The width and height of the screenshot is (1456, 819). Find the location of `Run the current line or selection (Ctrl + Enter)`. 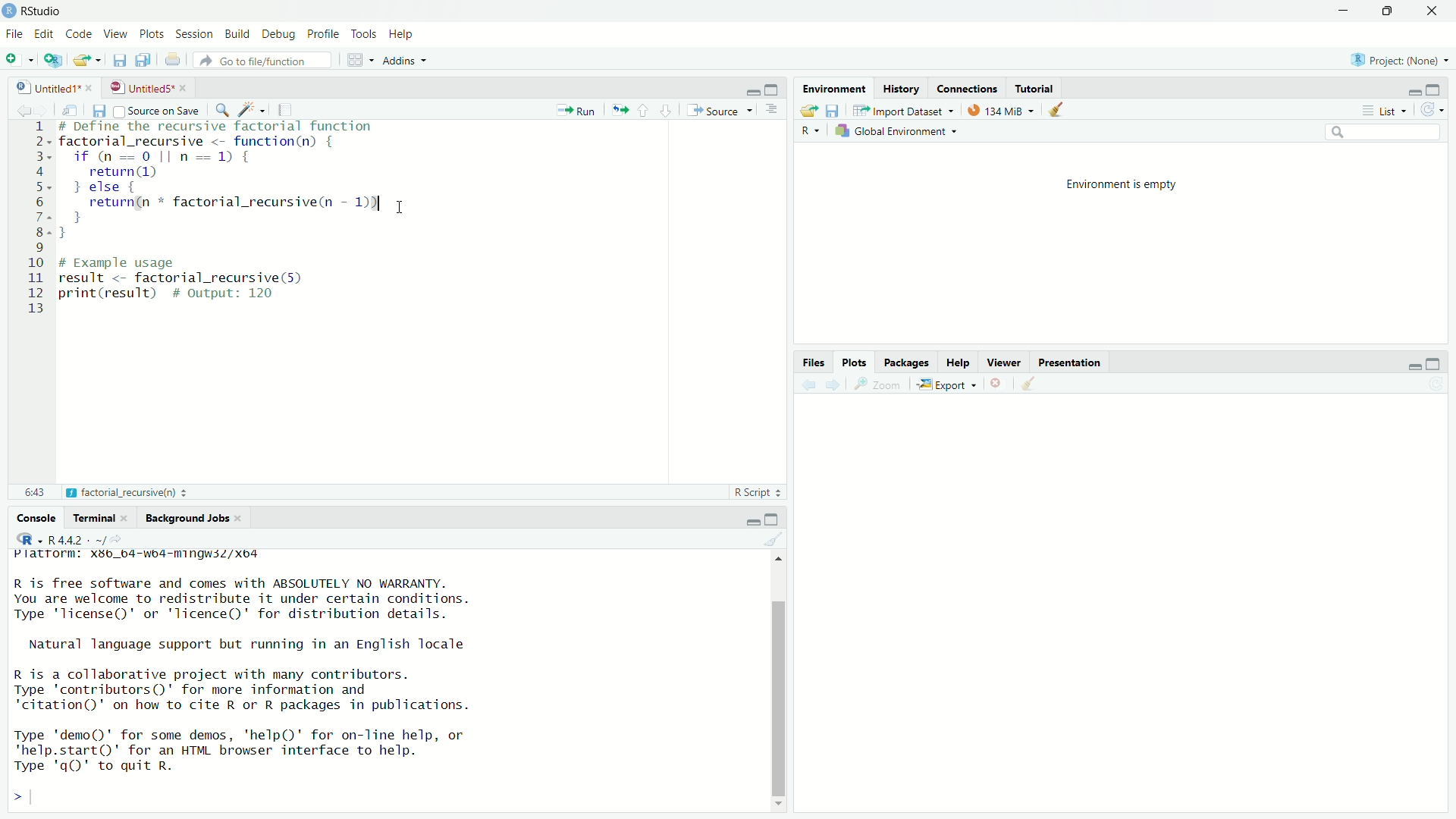

Run the current line or selection (Ctrl + Enter) is located at coordinates (579, 108).